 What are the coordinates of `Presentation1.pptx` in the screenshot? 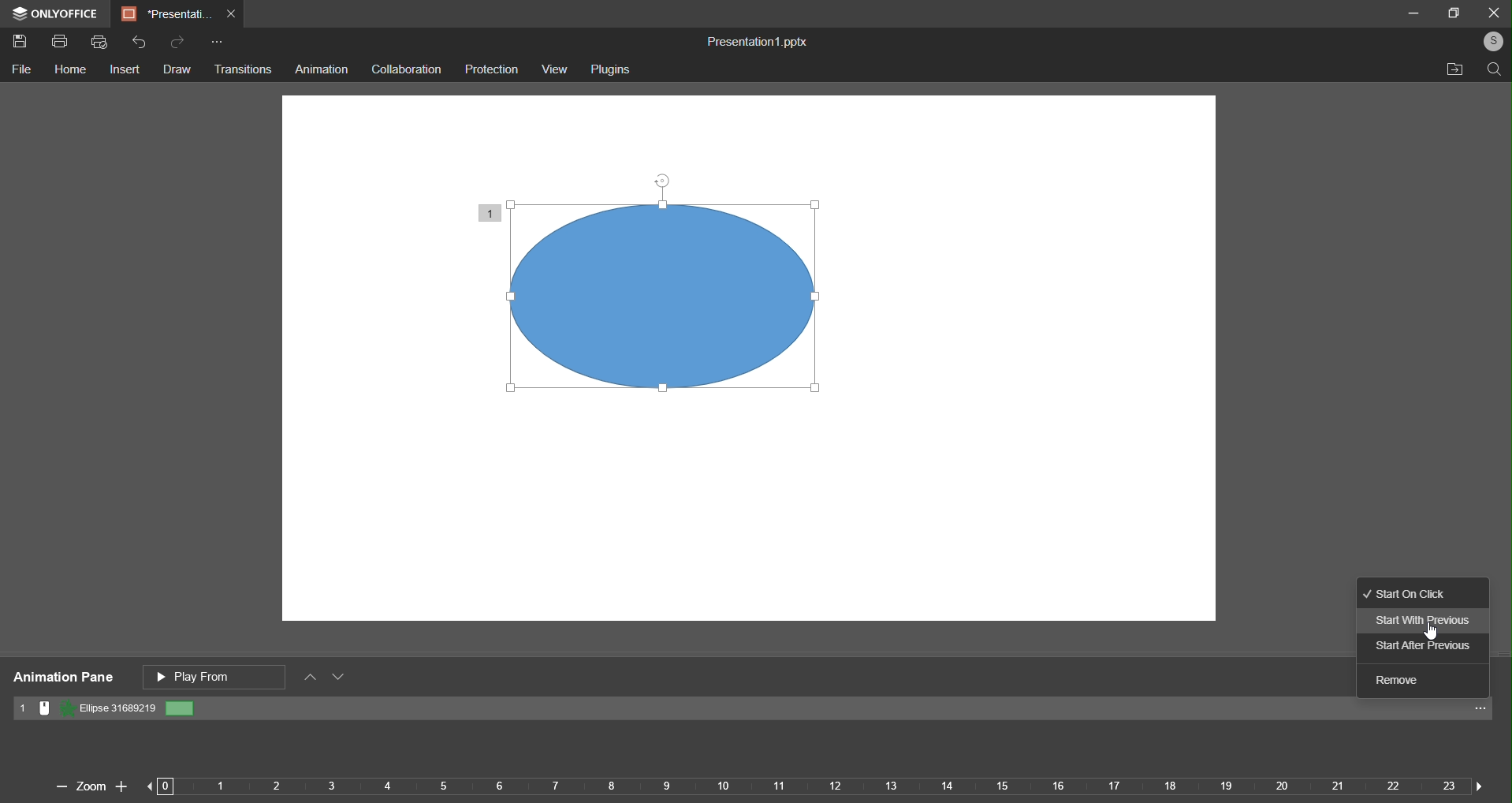 It's located at (753, 39).